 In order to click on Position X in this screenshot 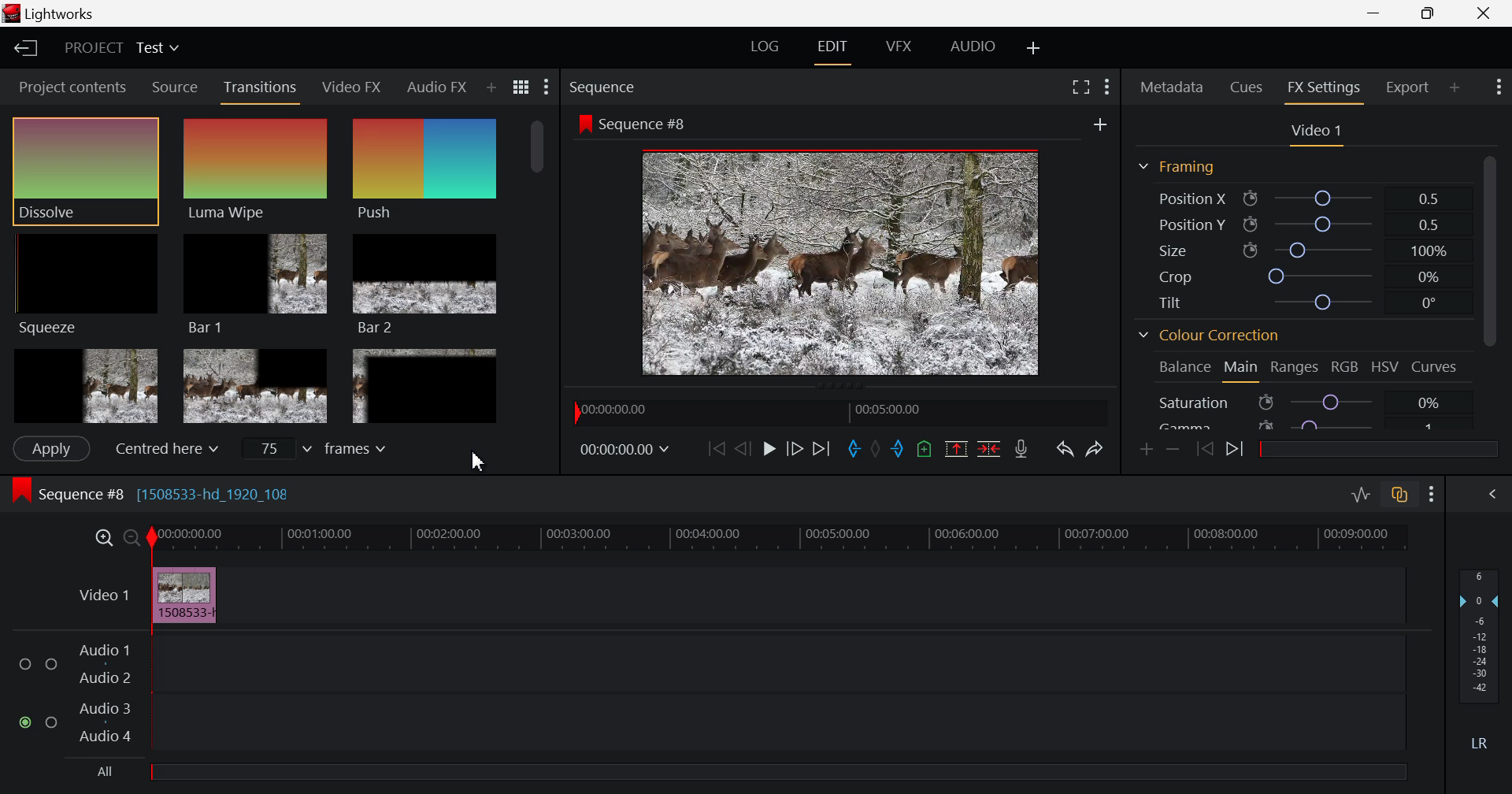, I will do `click(1299, 198)`.